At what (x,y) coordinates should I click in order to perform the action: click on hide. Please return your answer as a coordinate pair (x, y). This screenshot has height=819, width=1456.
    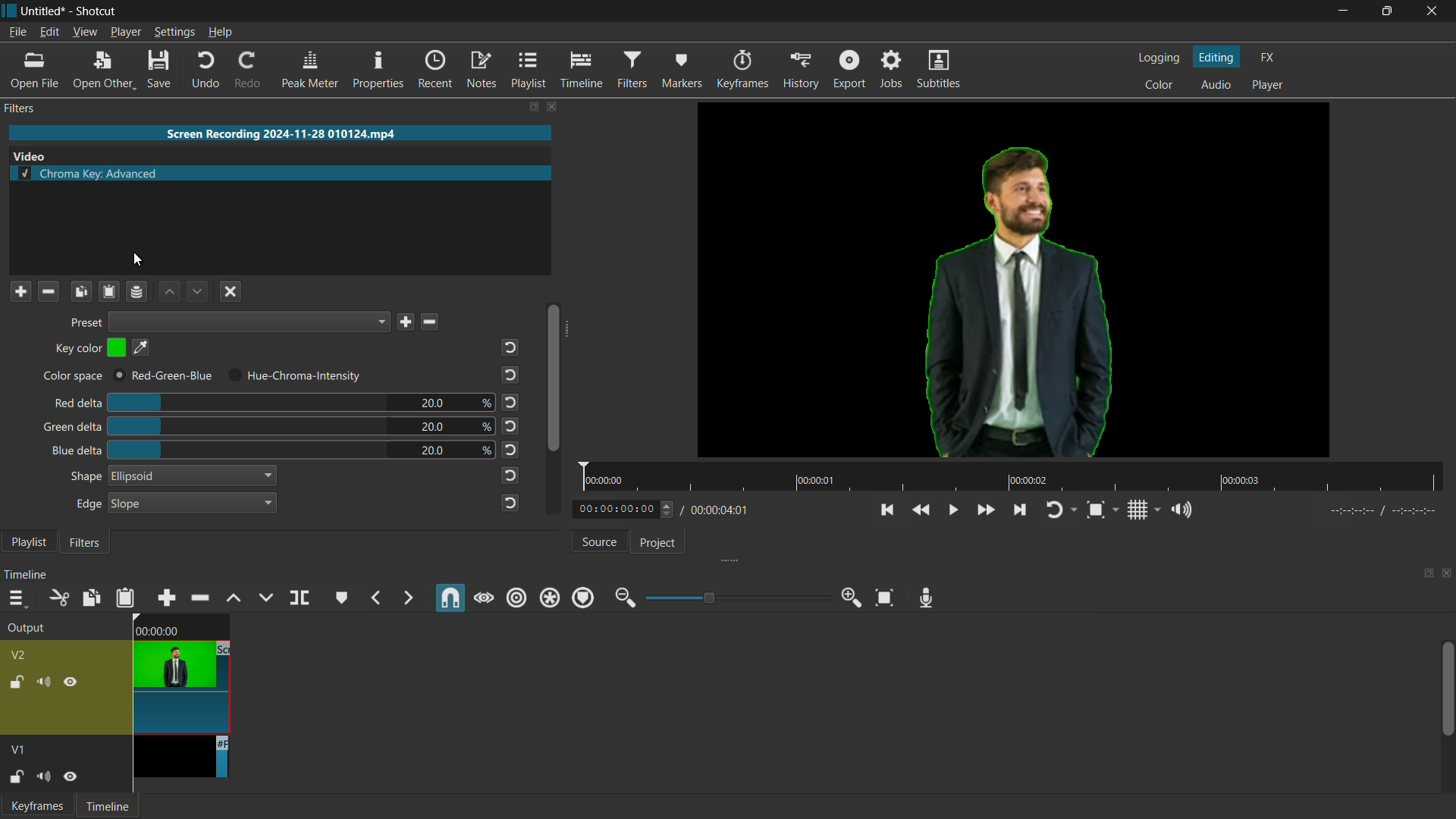
    Looking at the image, I should click on (70, 776).